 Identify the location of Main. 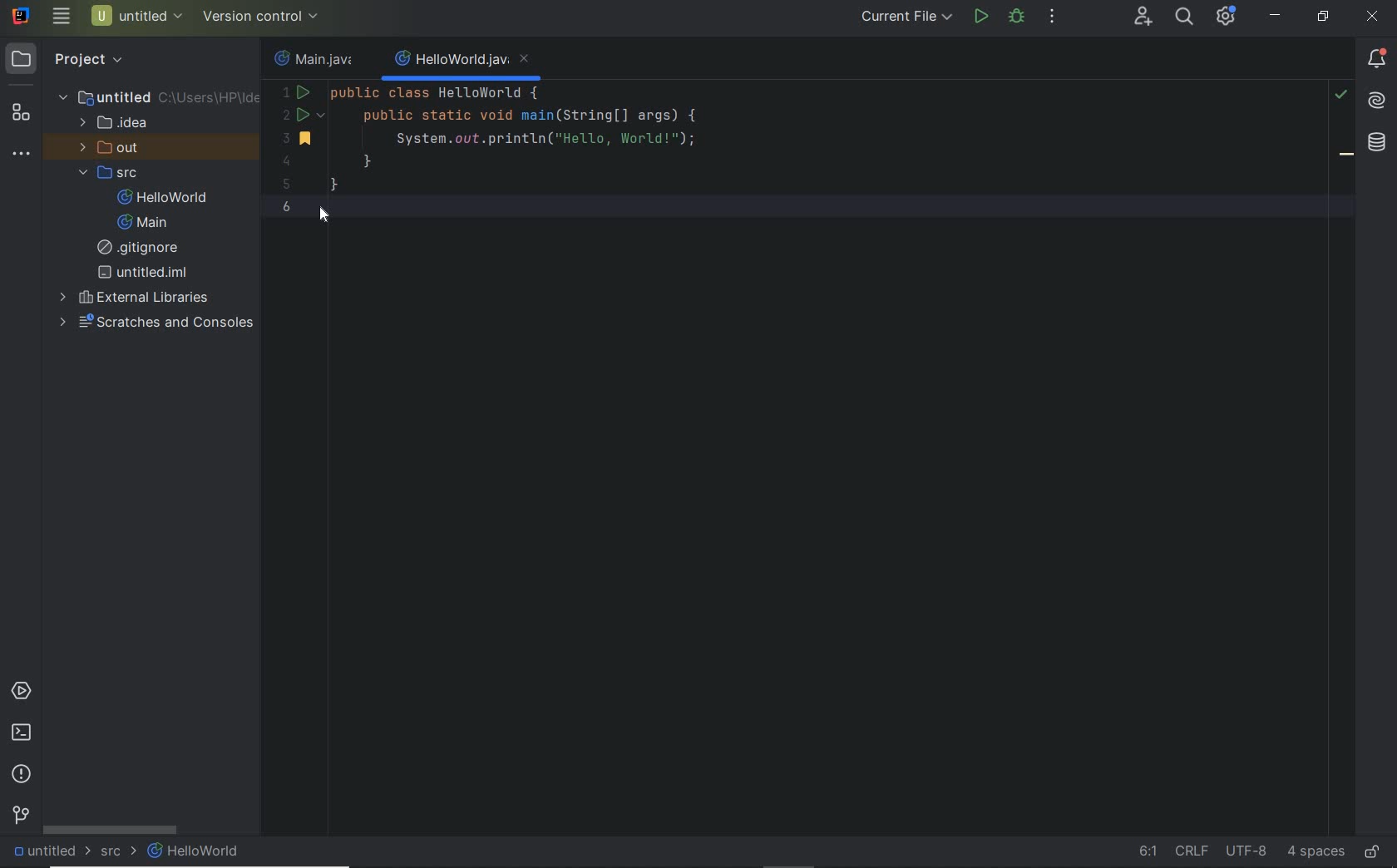
(146, 223).